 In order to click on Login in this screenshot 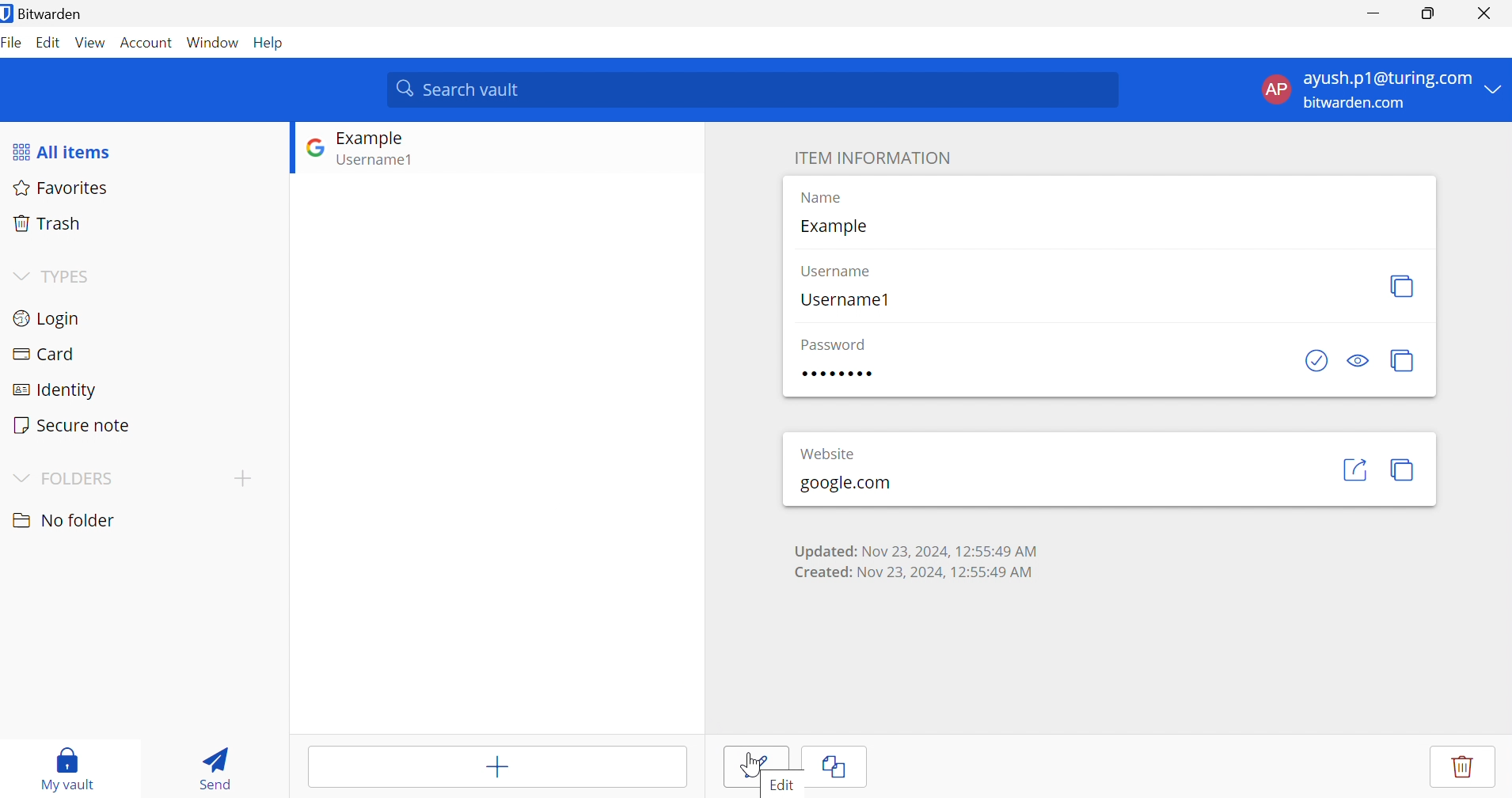, I will do `click(47, 317)`.